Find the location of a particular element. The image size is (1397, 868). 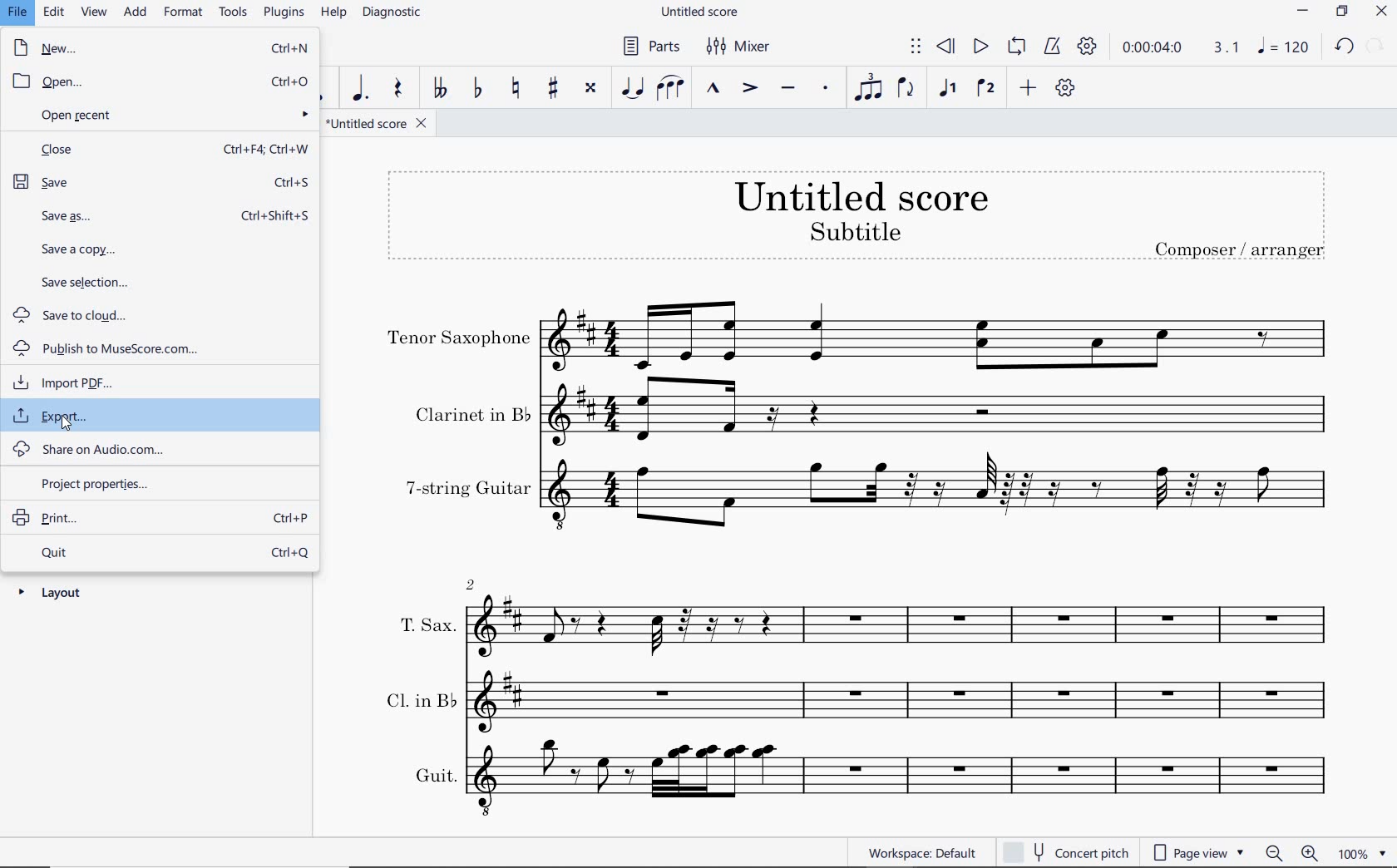

zoom factor is located at coordinates (1360, 851).